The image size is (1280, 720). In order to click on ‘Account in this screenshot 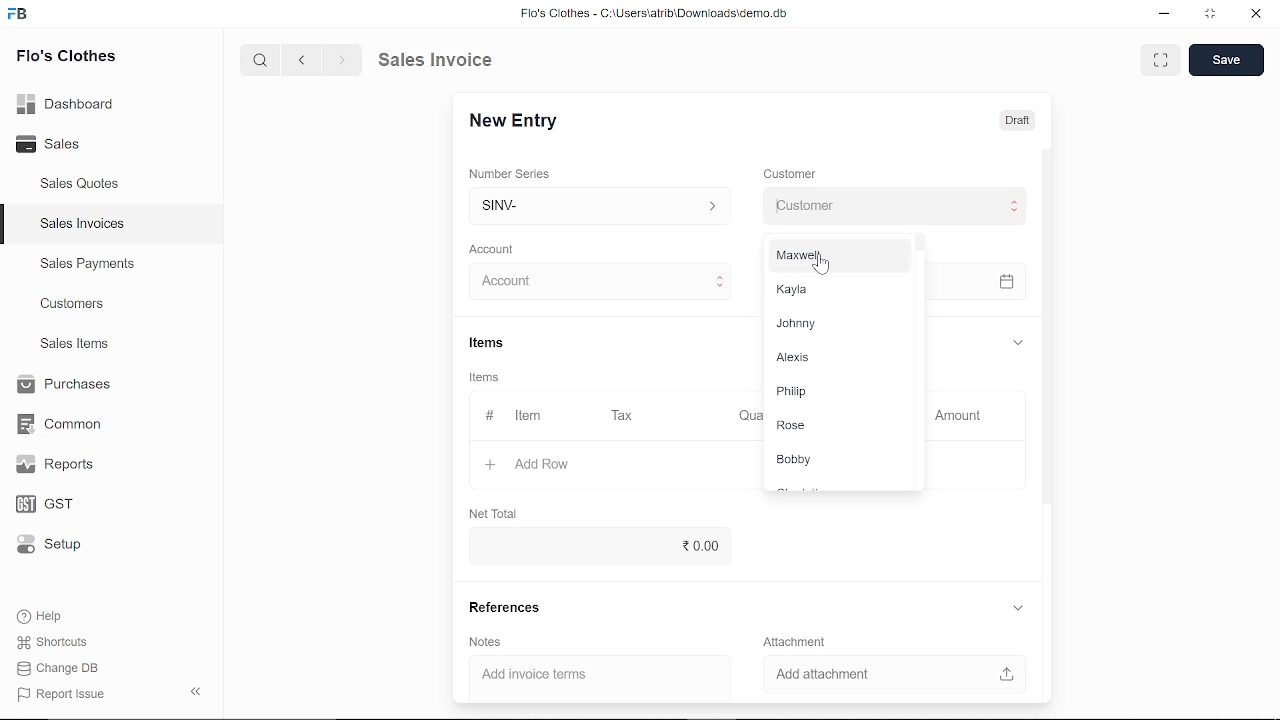, I will do `click(491, 248)`.